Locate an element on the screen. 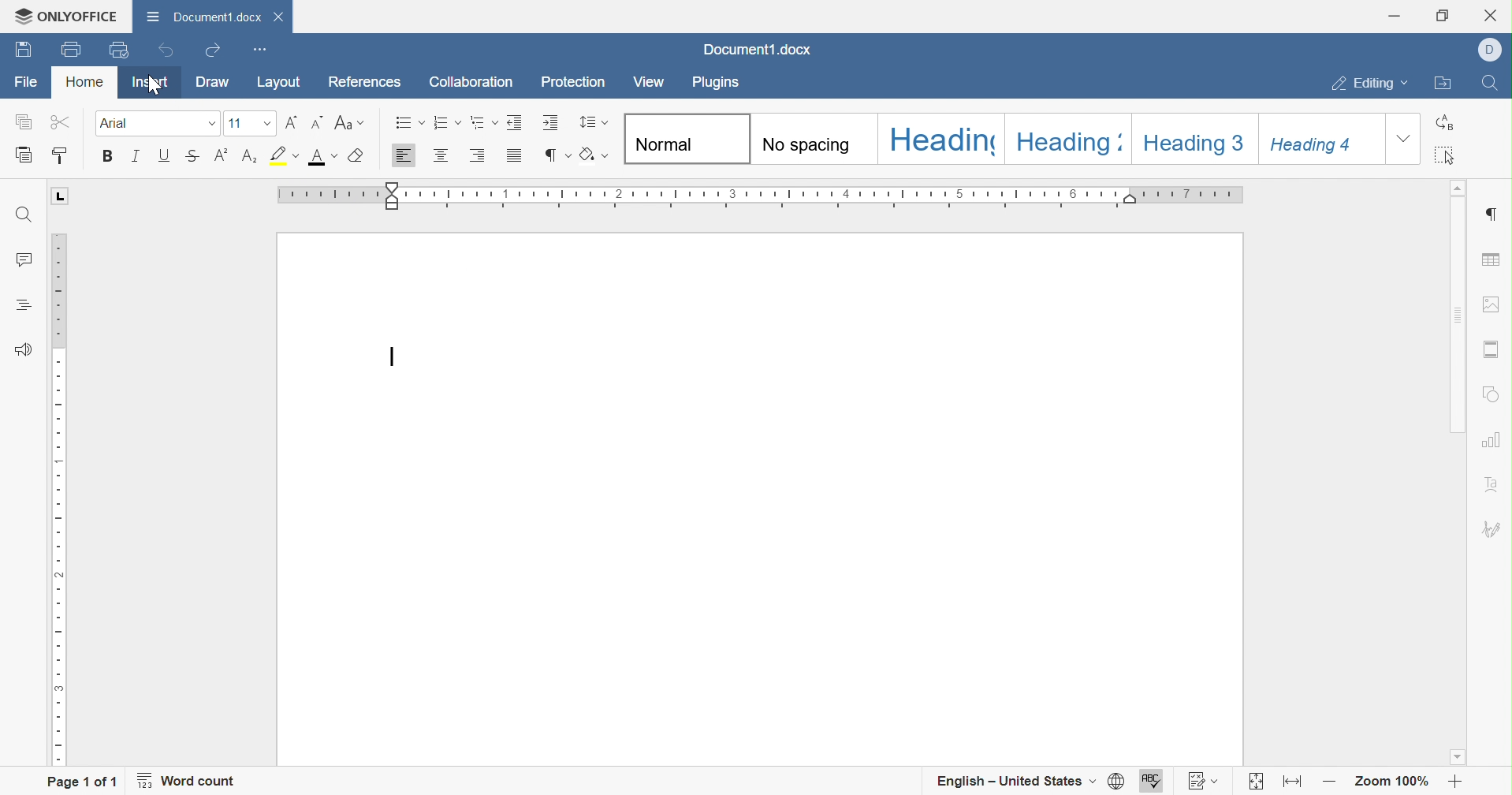  Minimize is located at coordinates (1400, 15).